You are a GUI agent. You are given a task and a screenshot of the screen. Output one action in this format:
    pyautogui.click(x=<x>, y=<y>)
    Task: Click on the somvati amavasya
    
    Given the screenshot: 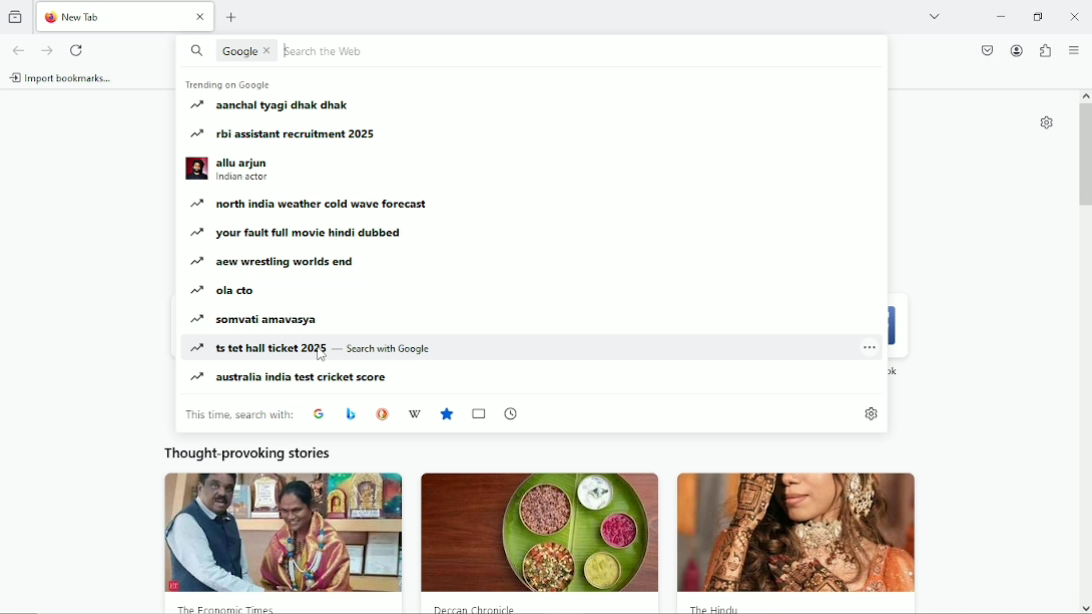 What is the action you would take?
    pyautogui.click(x=258, y=320)
    